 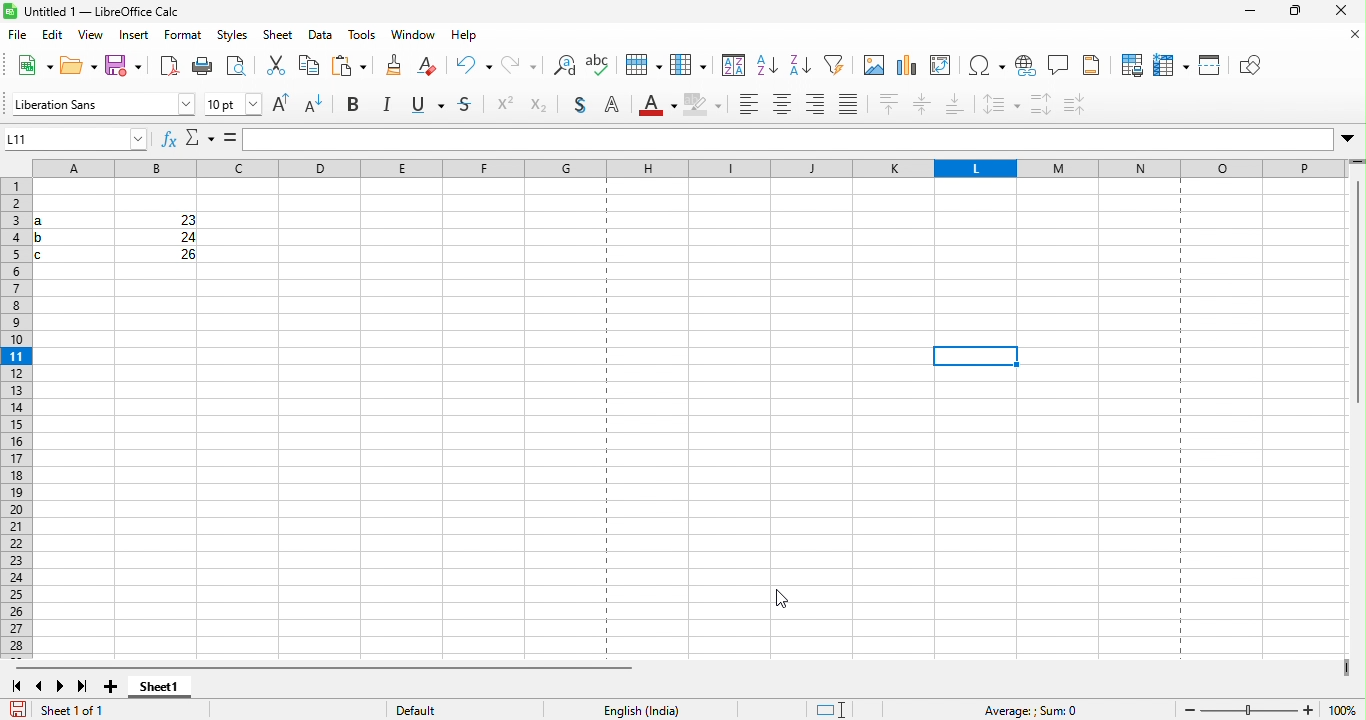 What do you see at coordinates (561, 69) in the screenshot?
I see `spelling` at bounding box center [561, 69].